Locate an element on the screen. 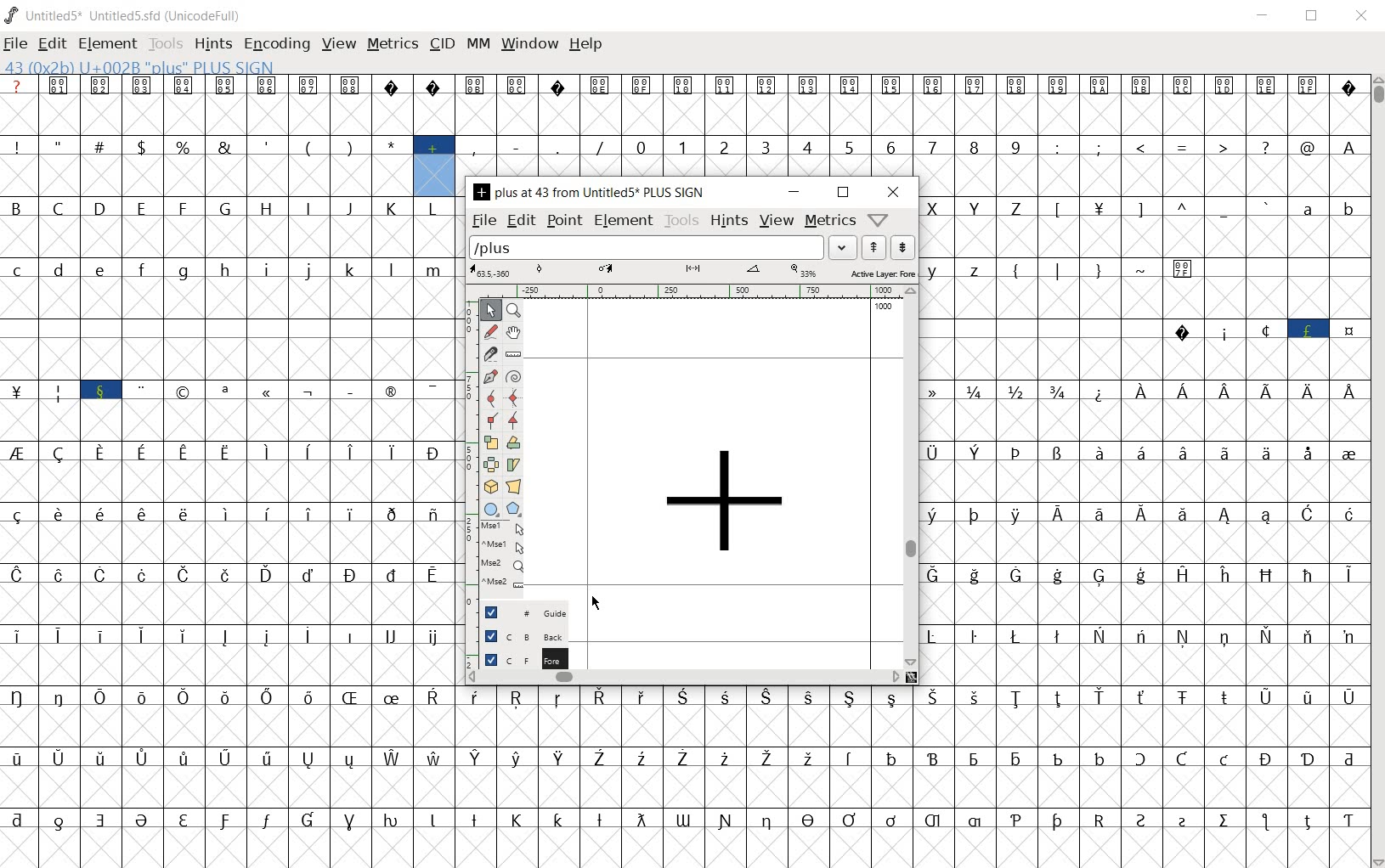 The width and height of the screenshot is (1385, 868). show the next word on the list is located at coordinates (872, 247).